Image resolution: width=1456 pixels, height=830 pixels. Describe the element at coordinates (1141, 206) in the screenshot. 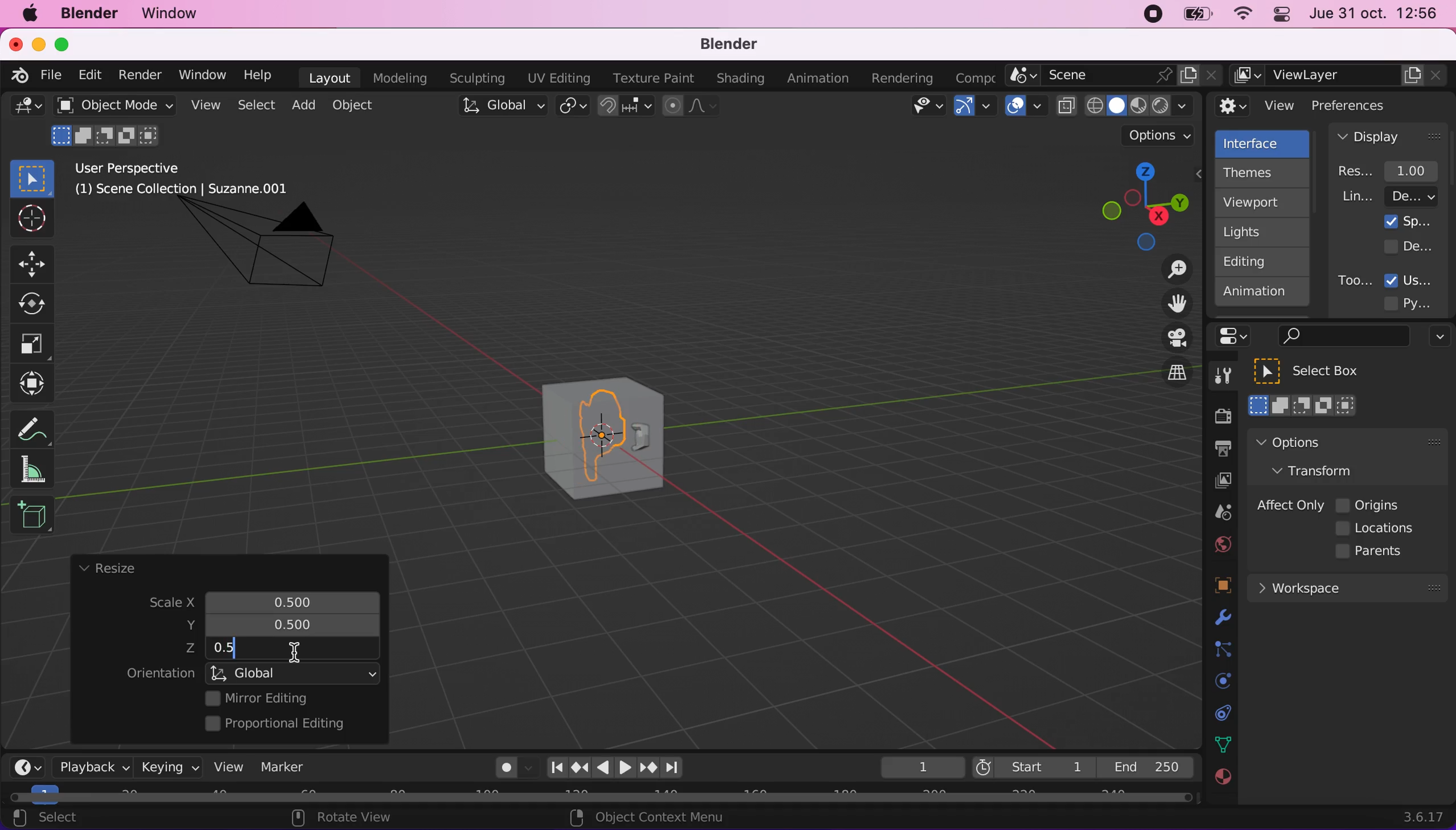

I see `click, shortcut, drag` at that location.